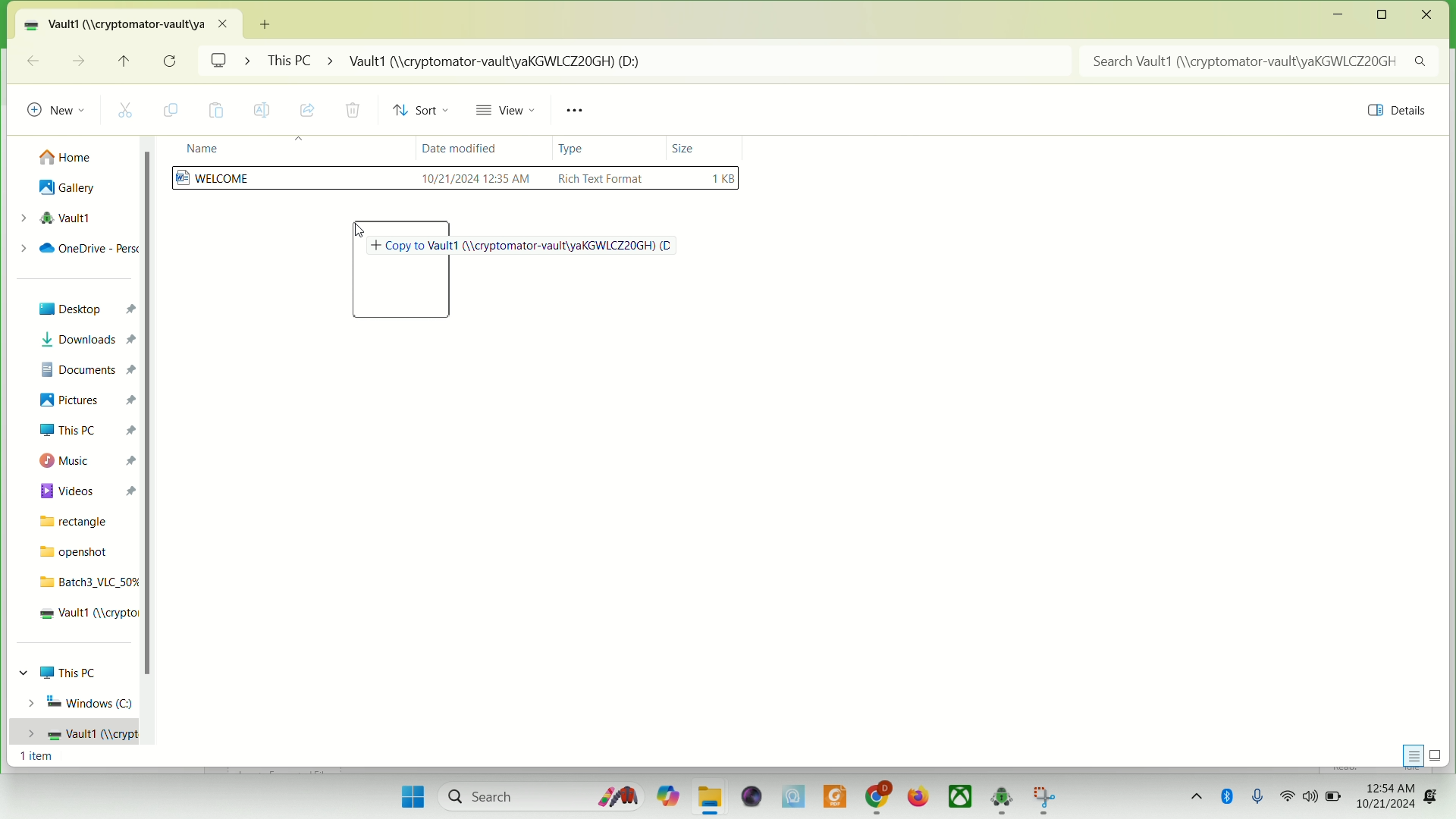  I want to click on folder, so click(394, 269).